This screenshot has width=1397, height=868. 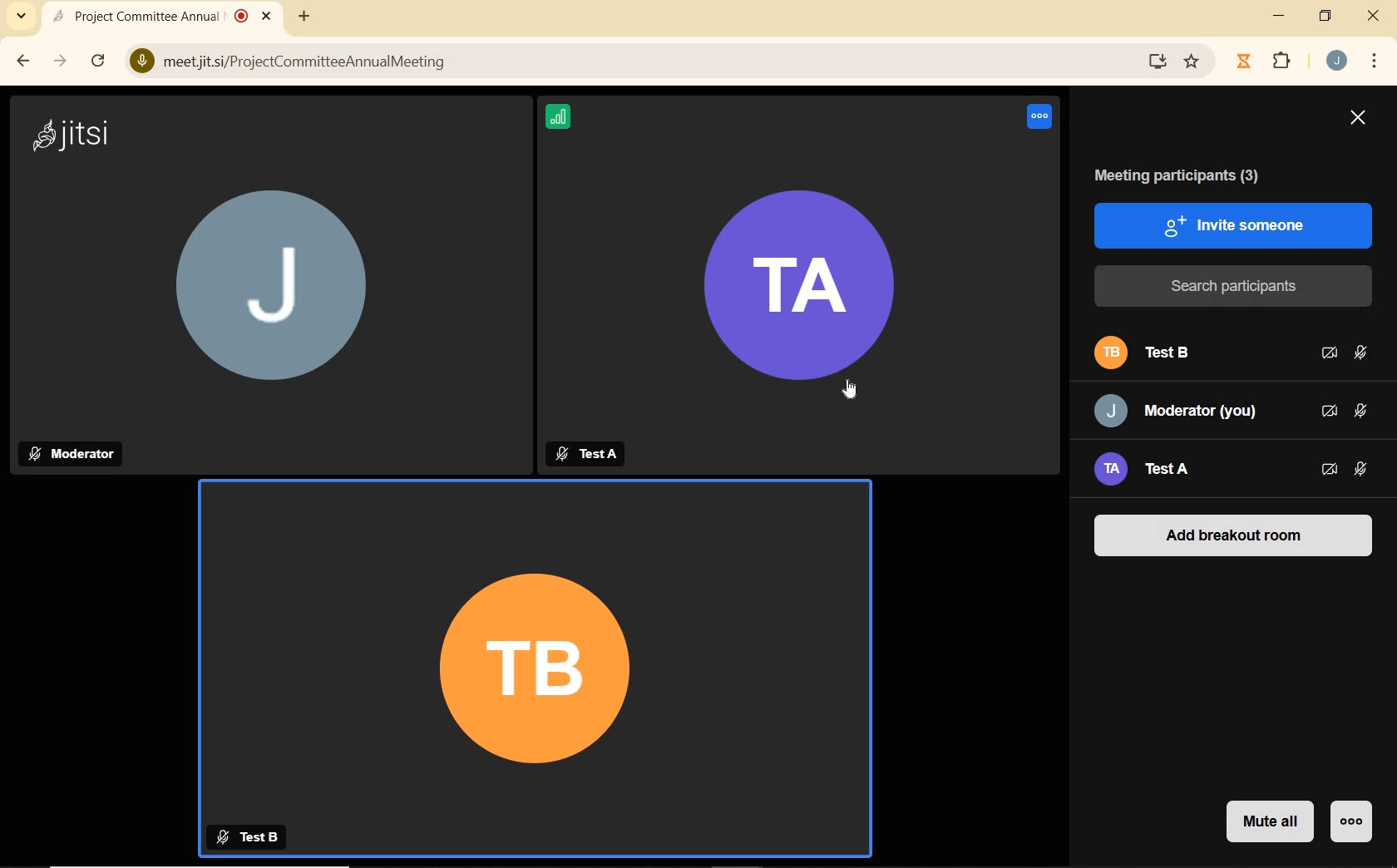 I want to click on jitsi, so click(x=74, y=134).